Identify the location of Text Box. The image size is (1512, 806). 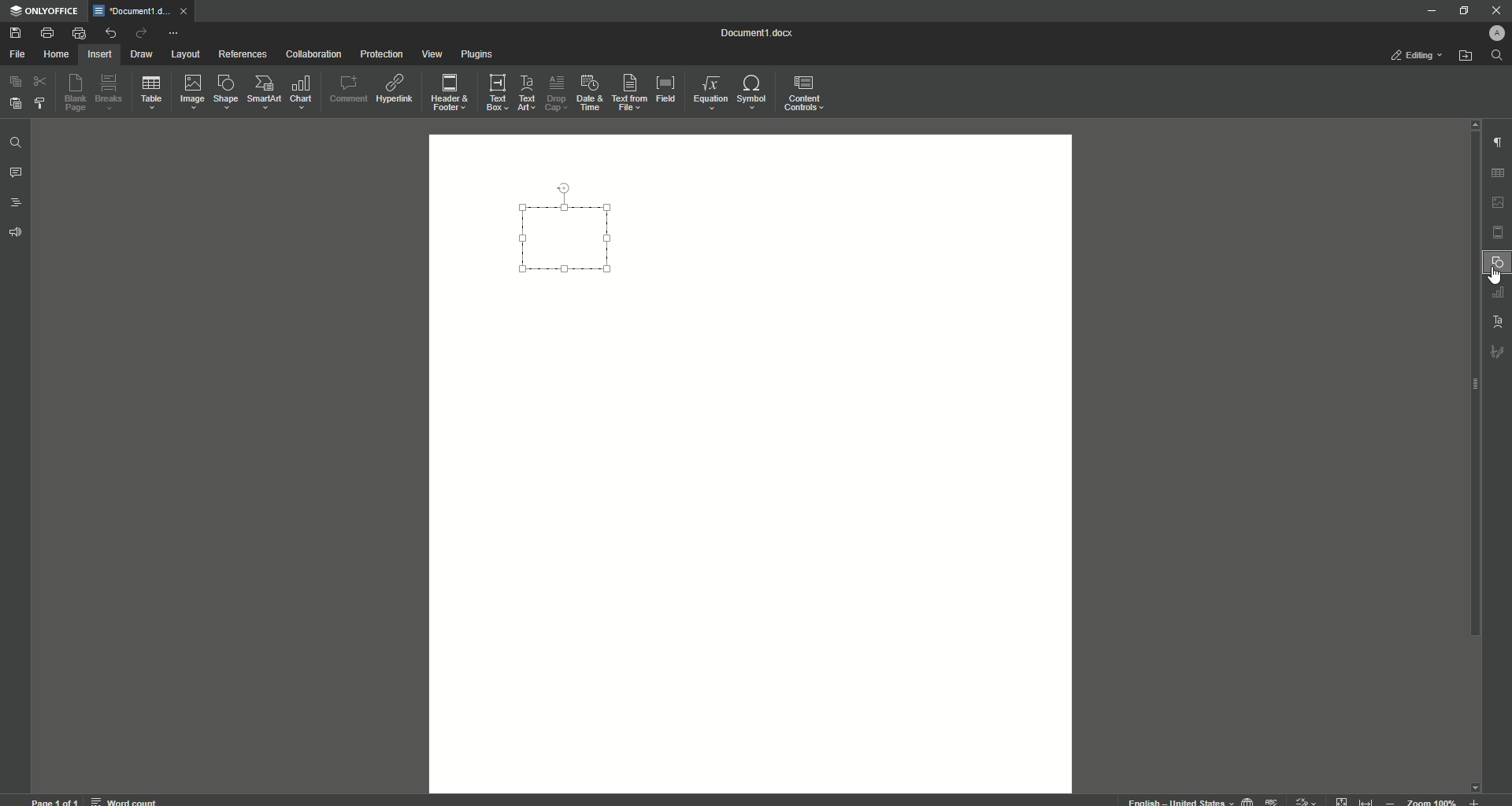
(492, 92).